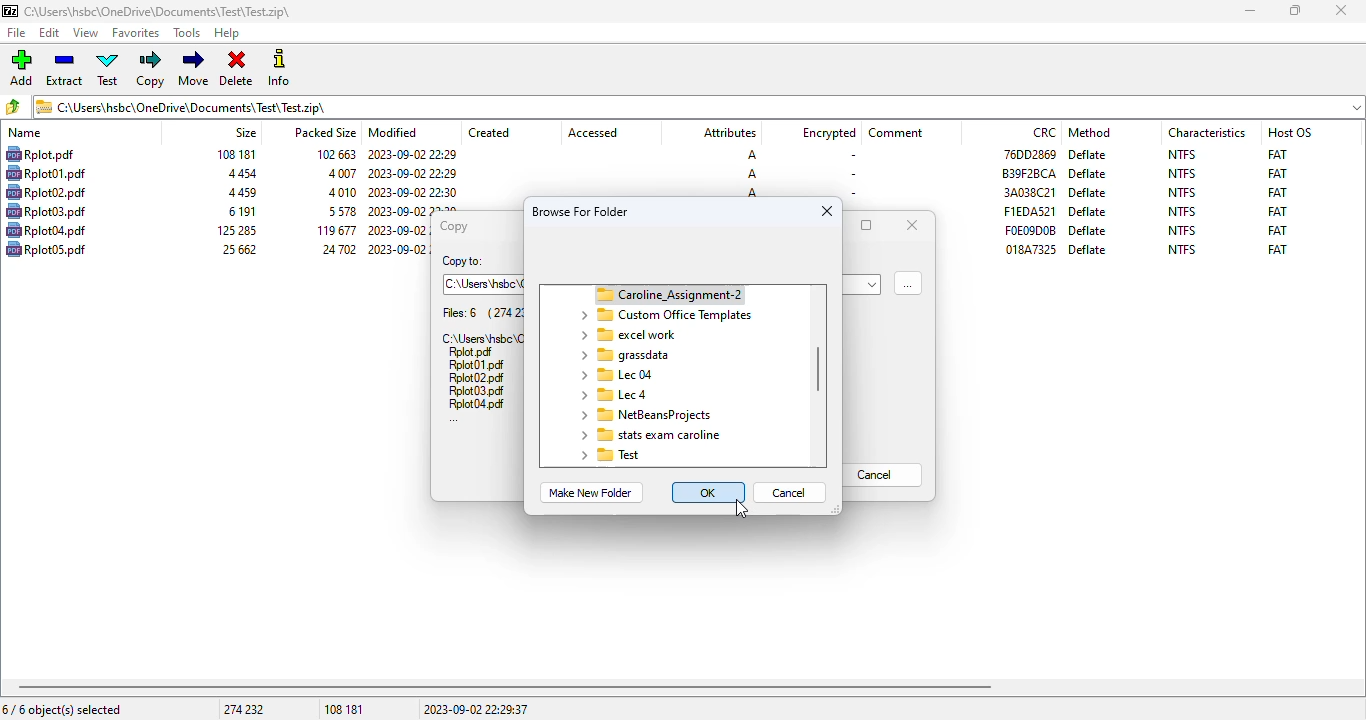  I want to click on FAT, so click(1277, 173).